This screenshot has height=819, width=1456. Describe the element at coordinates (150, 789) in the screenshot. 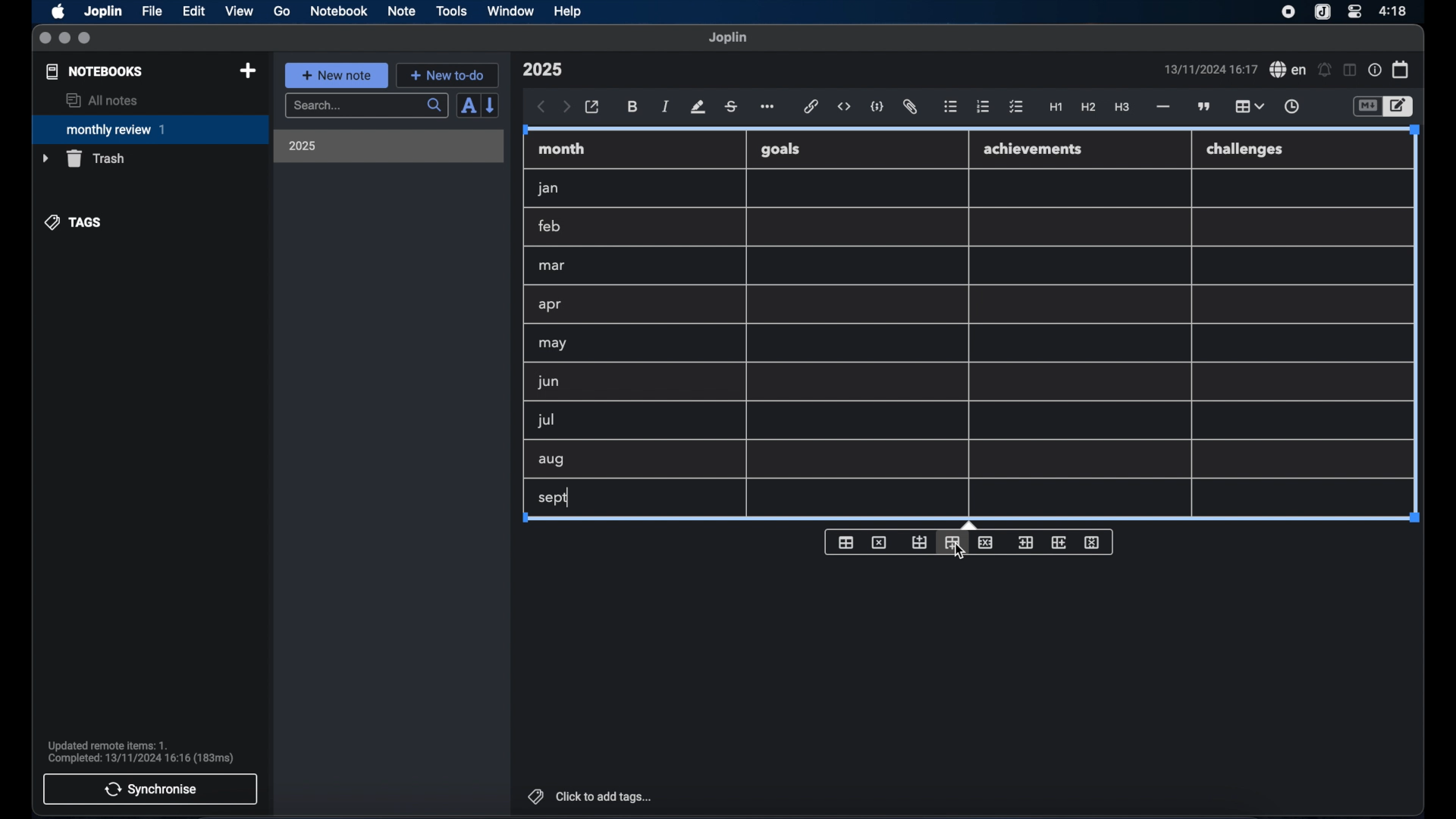

I see `synchronise` at that location.